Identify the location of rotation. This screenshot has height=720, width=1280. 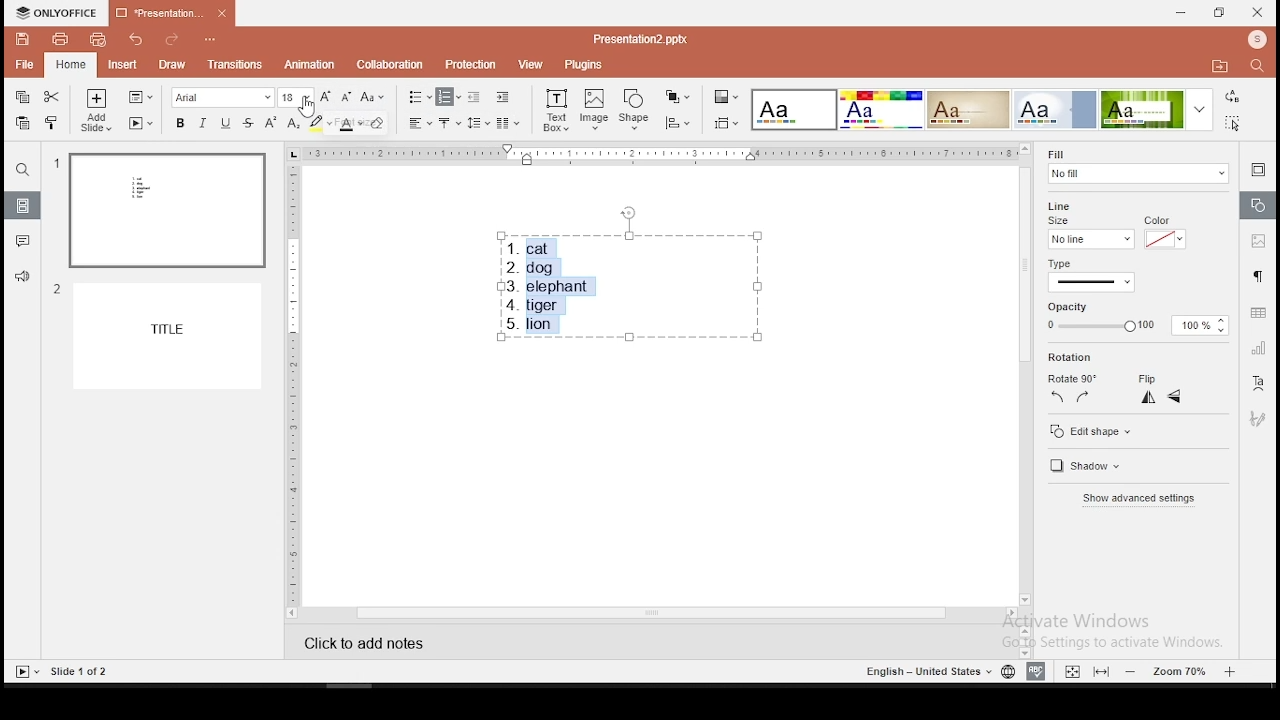
(1071, 358).